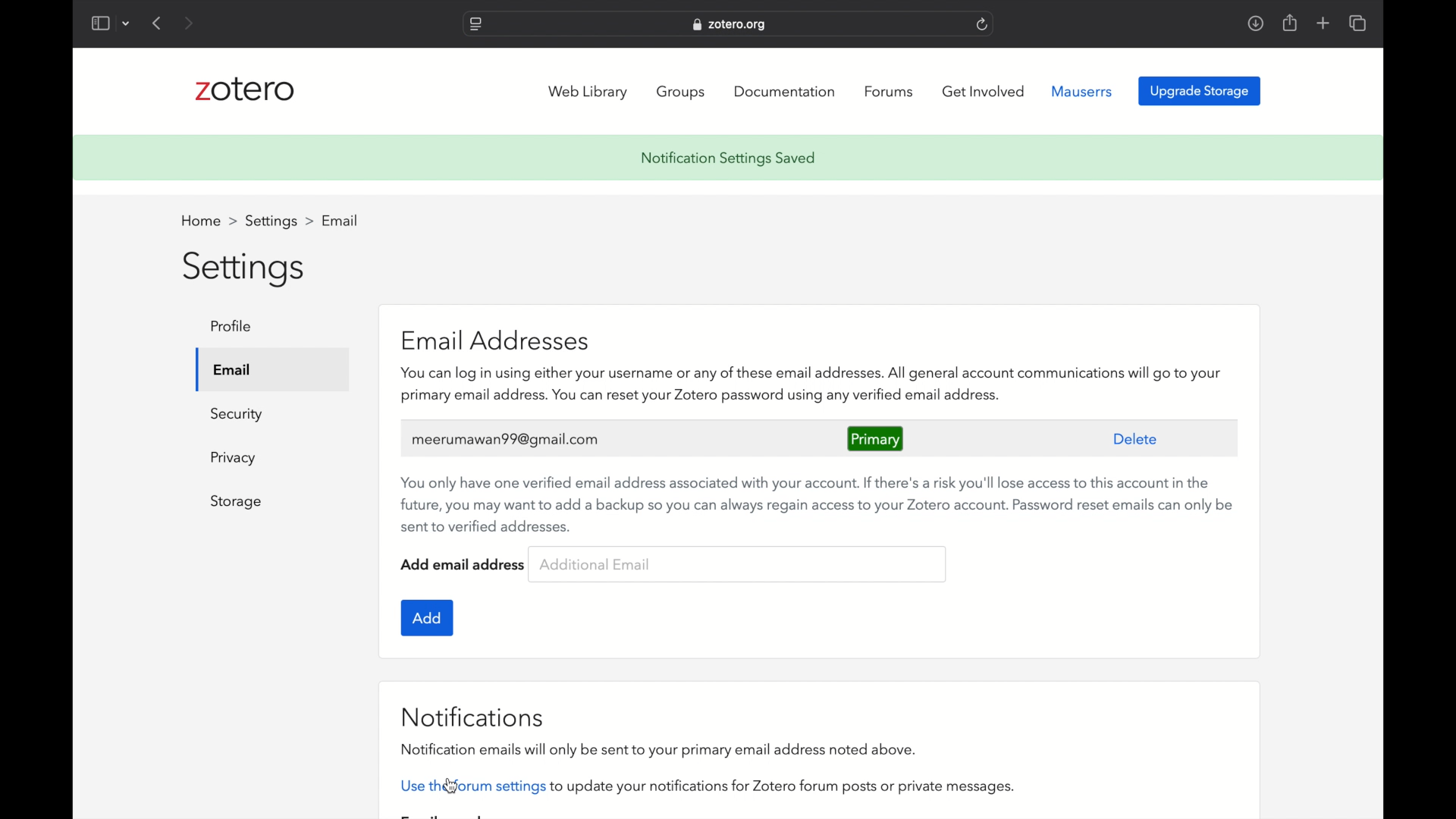 The width and height of the screenshot is (1456, 819). Describe the element at coordinates (728, 158) in the screenshot. I see `notification settings saved` at that location.